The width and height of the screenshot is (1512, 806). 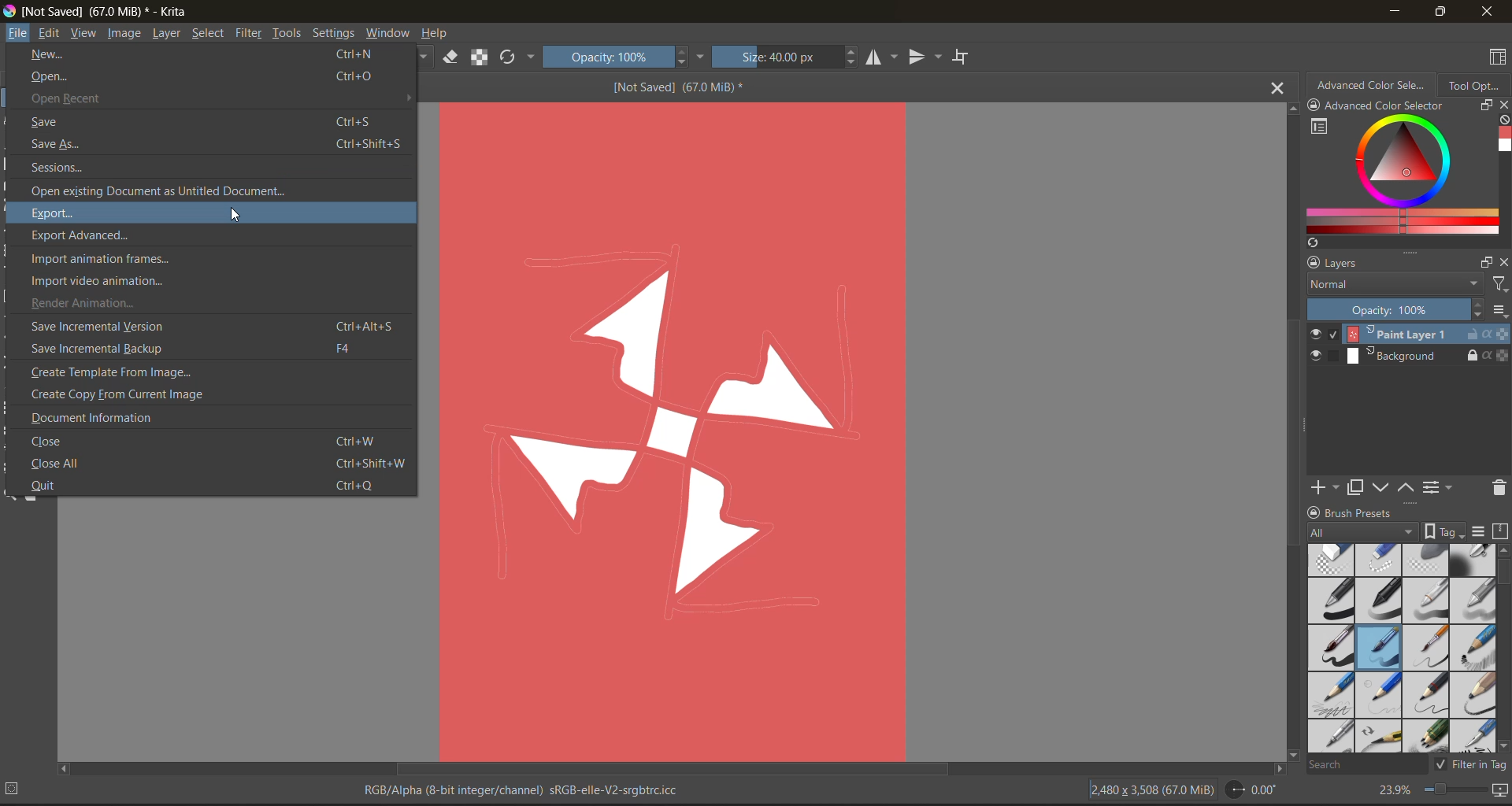 What do you see at coordinates (480, 57) in the screenshot?
I see `preserve alpha` at bounding box center [480, 57].